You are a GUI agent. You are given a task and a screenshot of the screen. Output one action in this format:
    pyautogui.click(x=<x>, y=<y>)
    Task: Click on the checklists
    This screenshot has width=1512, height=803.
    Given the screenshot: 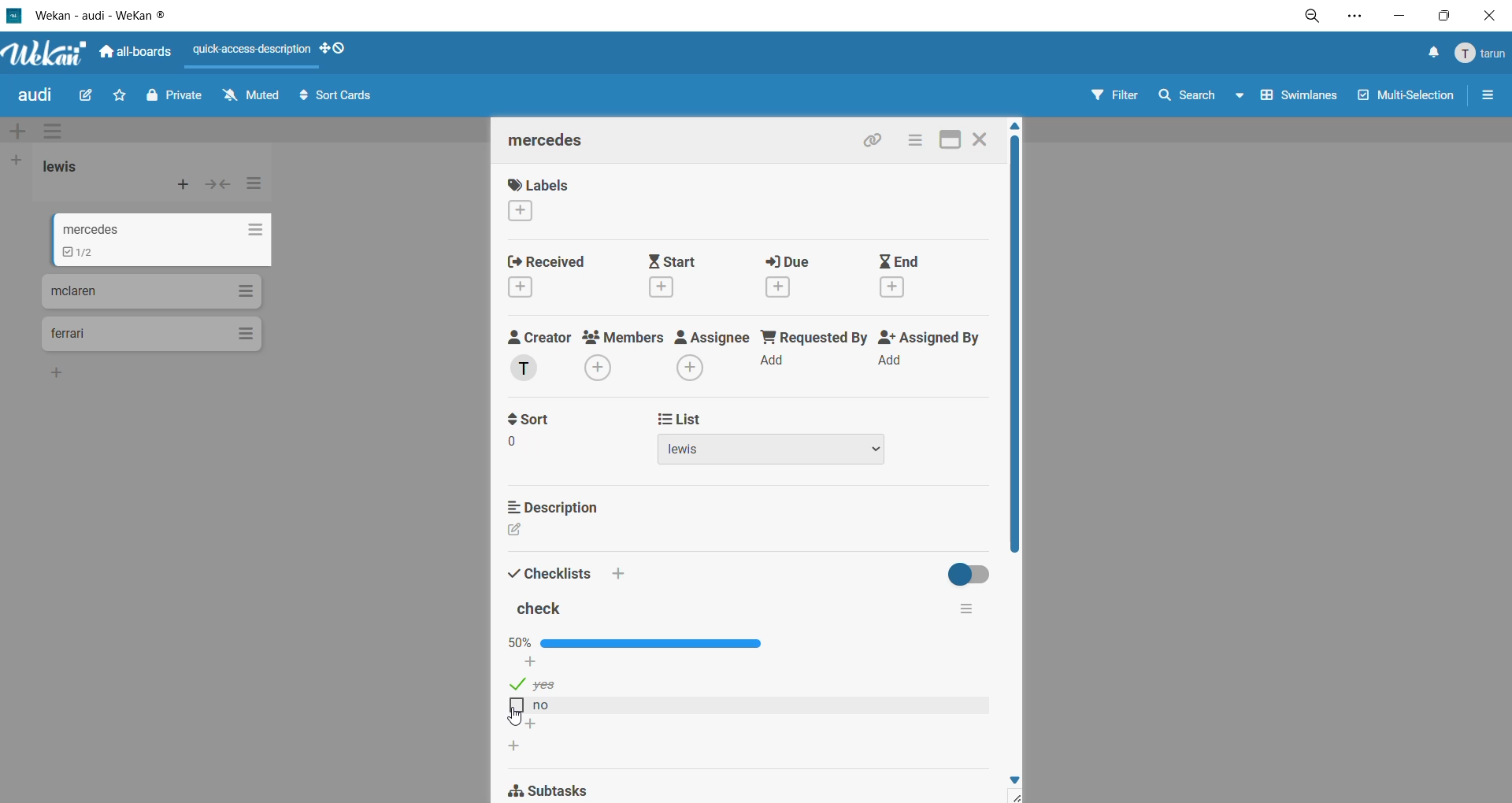 What is the action you would take?
    pyautogui.click(x=566, y=568)
    